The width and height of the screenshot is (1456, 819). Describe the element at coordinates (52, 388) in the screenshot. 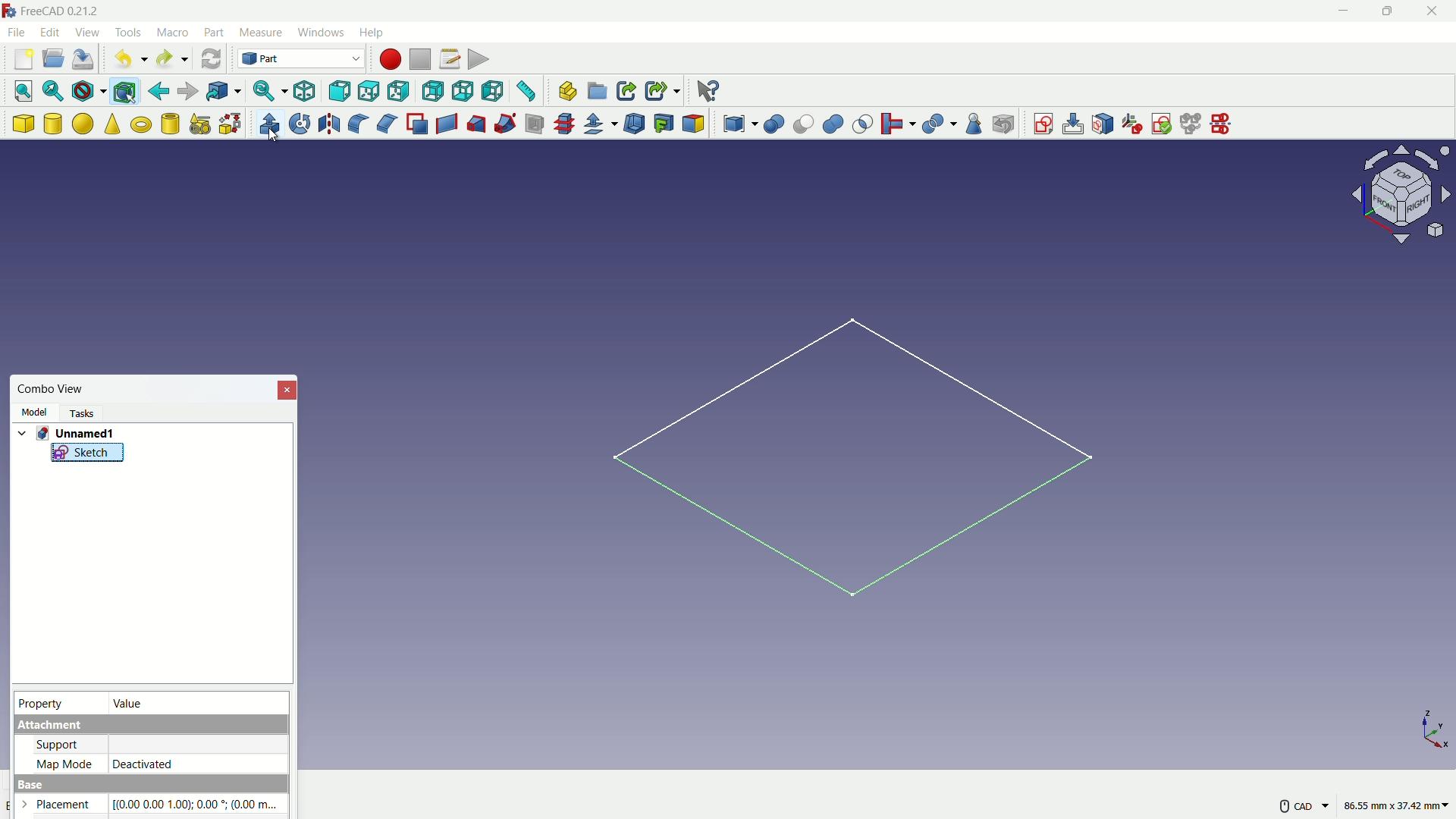

I see `Combo View` at that location.